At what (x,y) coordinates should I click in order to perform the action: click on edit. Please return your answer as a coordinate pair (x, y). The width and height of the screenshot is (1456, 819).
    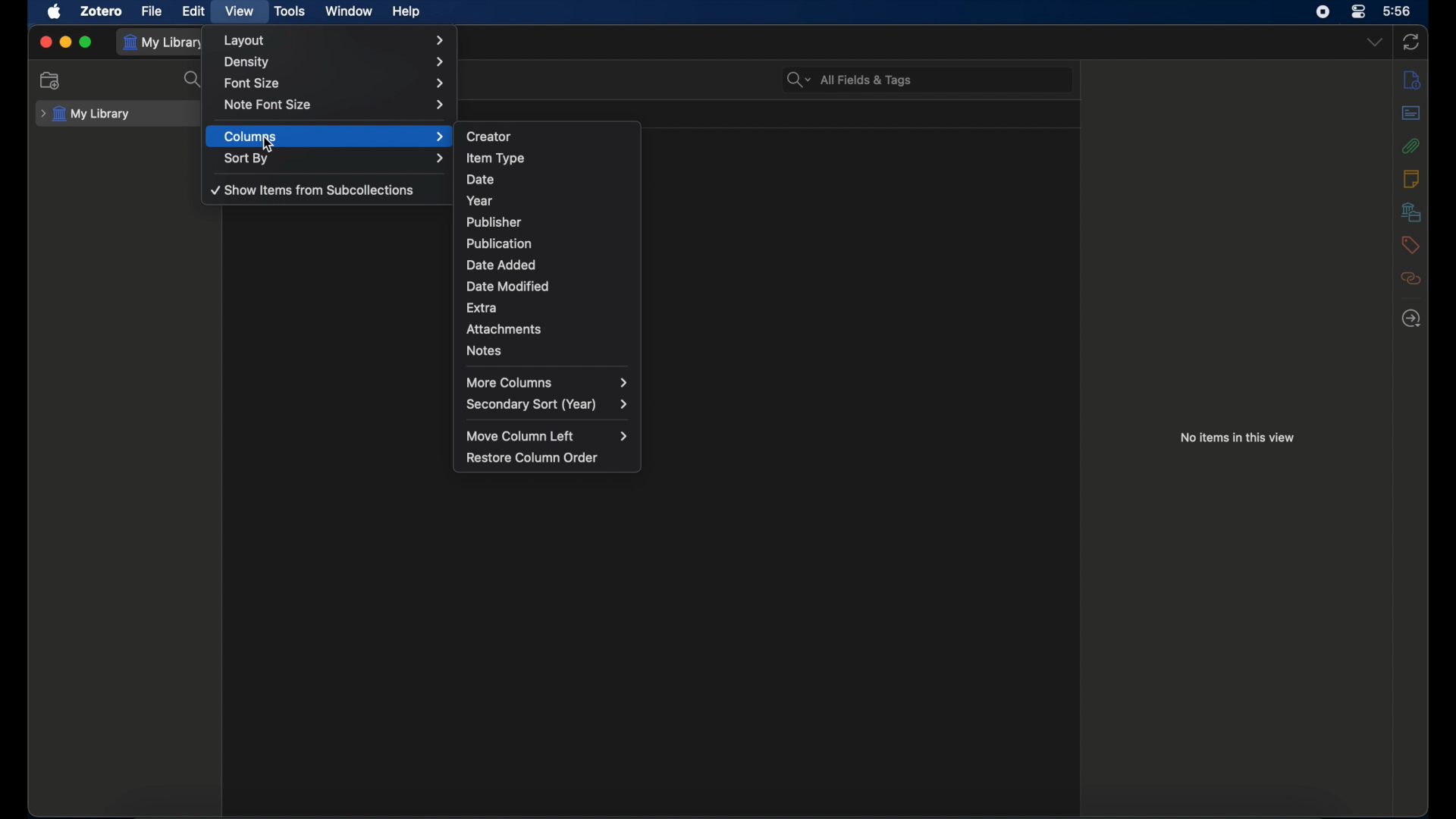
    Looking at the image, I should click on (196, 11).